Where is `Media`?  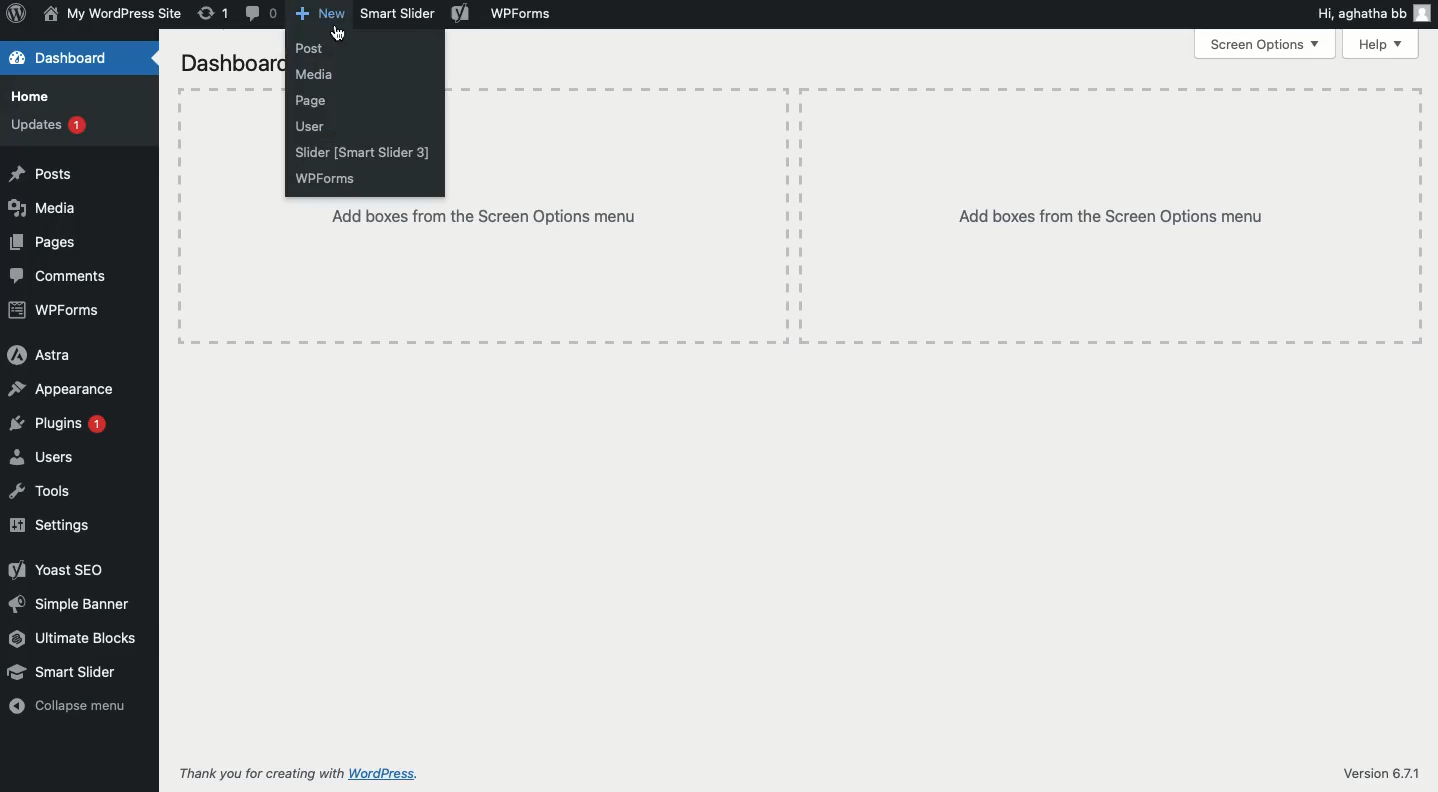 Media is located at coordinates (43, 211).